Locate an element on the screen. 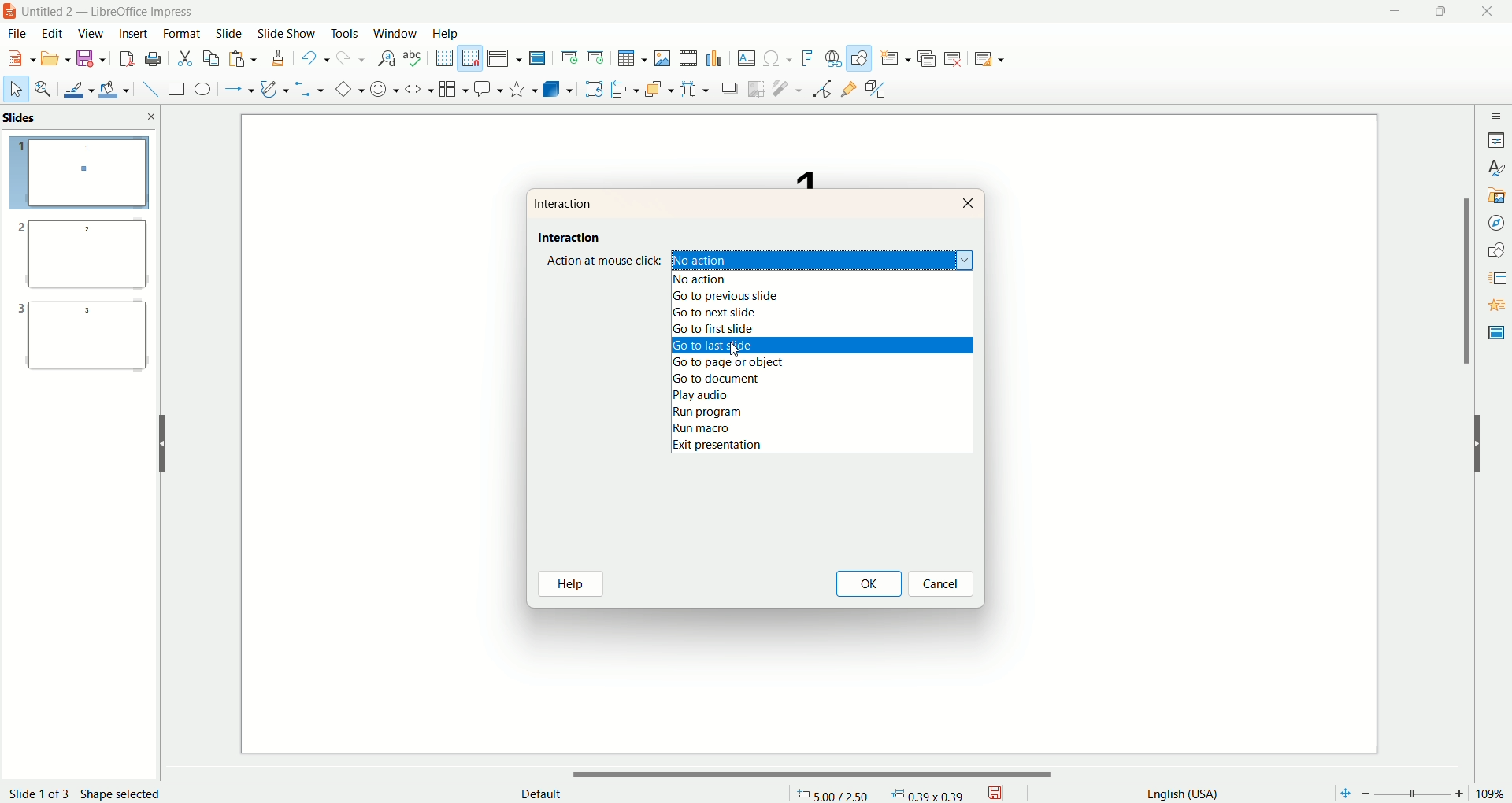 The height and width of the screenshot is (803, 1512). sidebar settings is located at coordinates (1495, 113).